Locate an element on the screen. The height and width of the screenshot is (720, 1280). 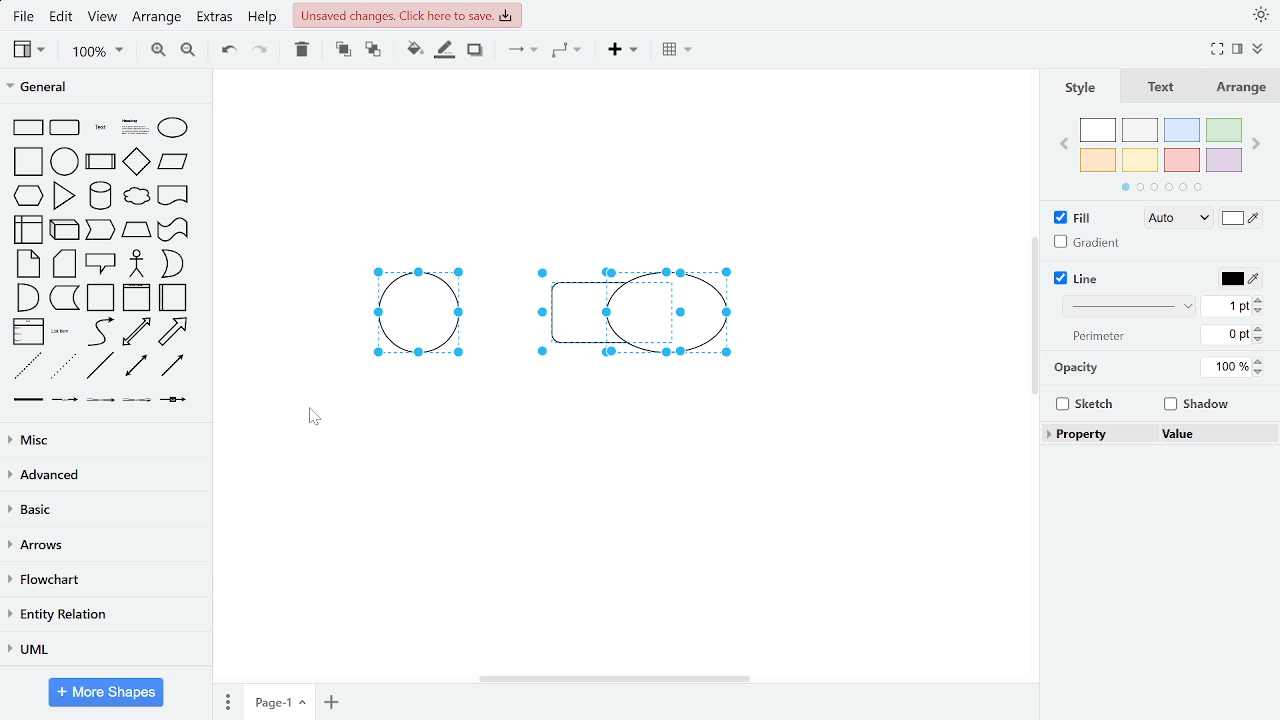
100% is located at coordinates (1223, 367).